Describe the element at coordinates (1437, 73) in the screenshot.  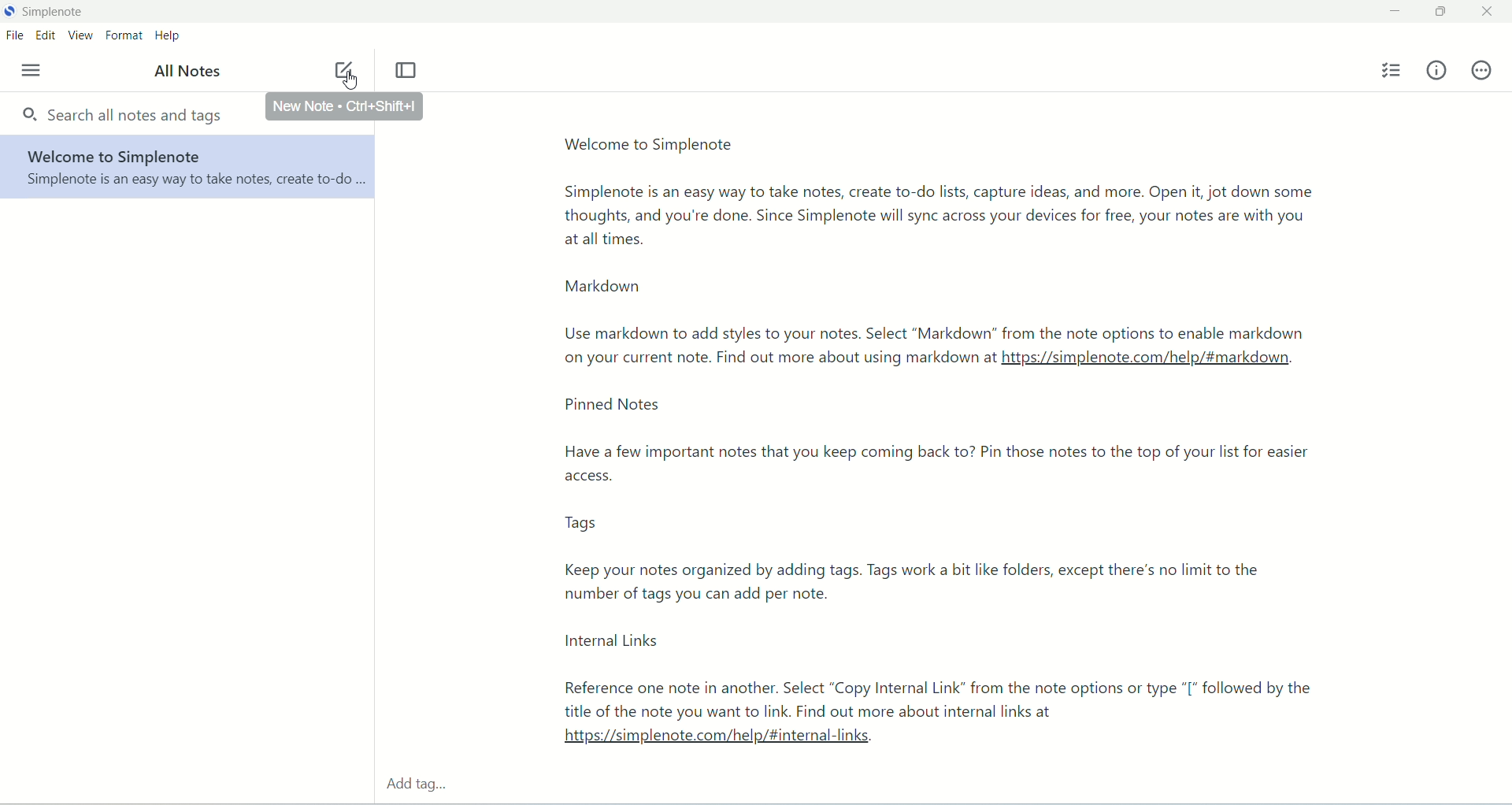
I see `info` at that location.